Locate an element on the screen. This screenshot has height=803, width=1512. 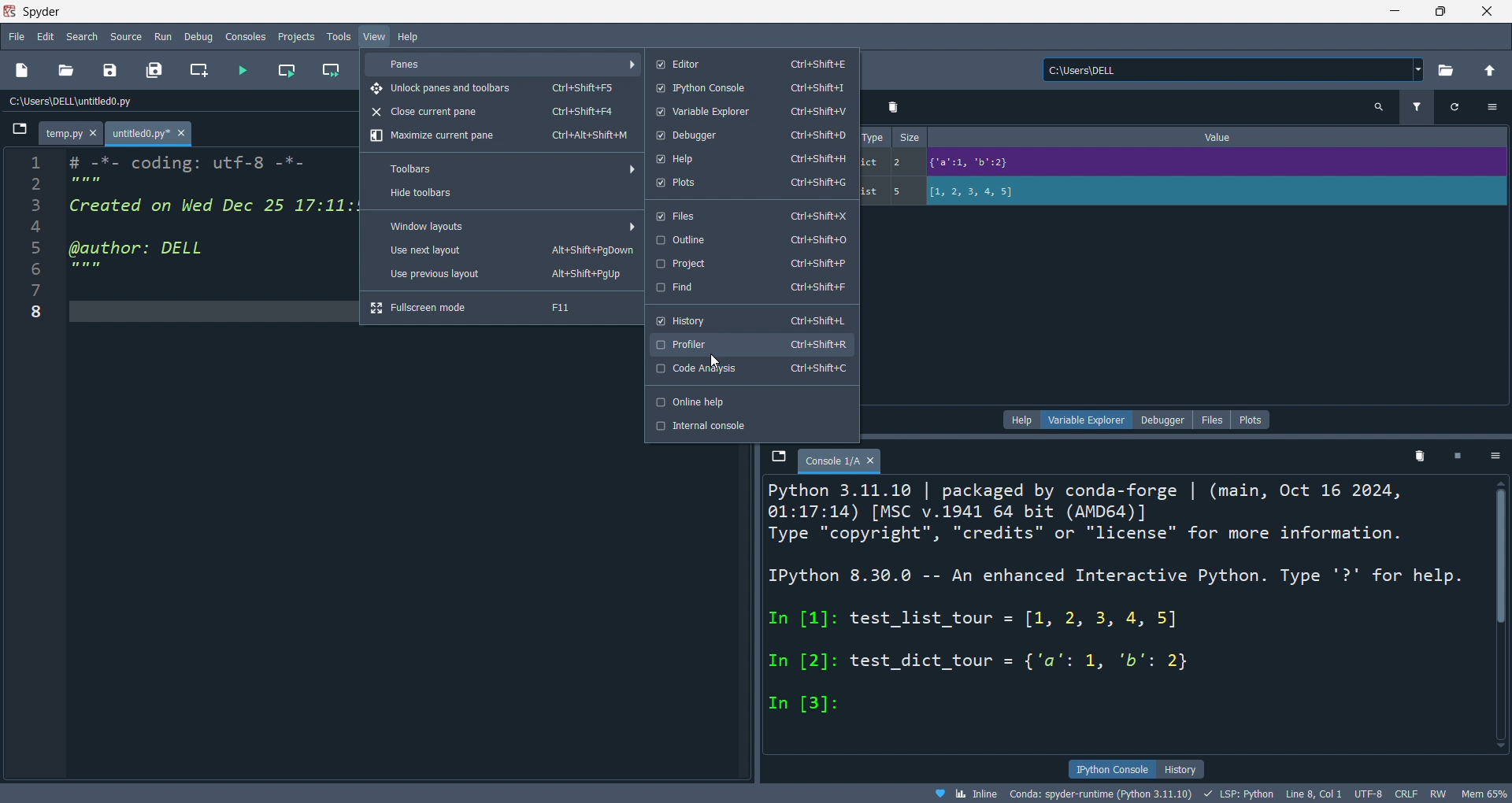
run is located at coordinates (161, 37).